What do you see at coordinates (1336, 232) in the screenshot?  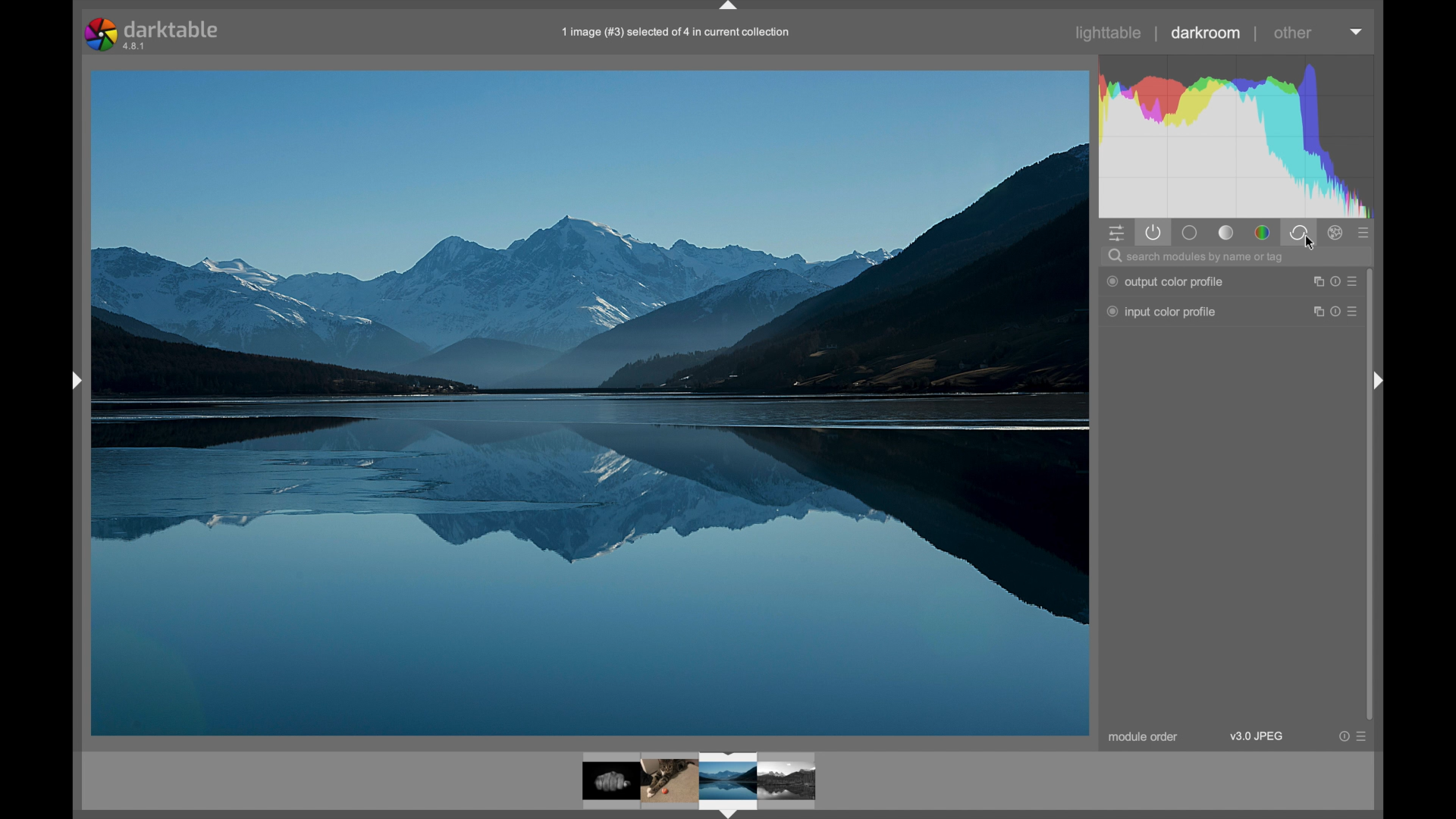 I see `effect` at bounding box center [1336, 232].